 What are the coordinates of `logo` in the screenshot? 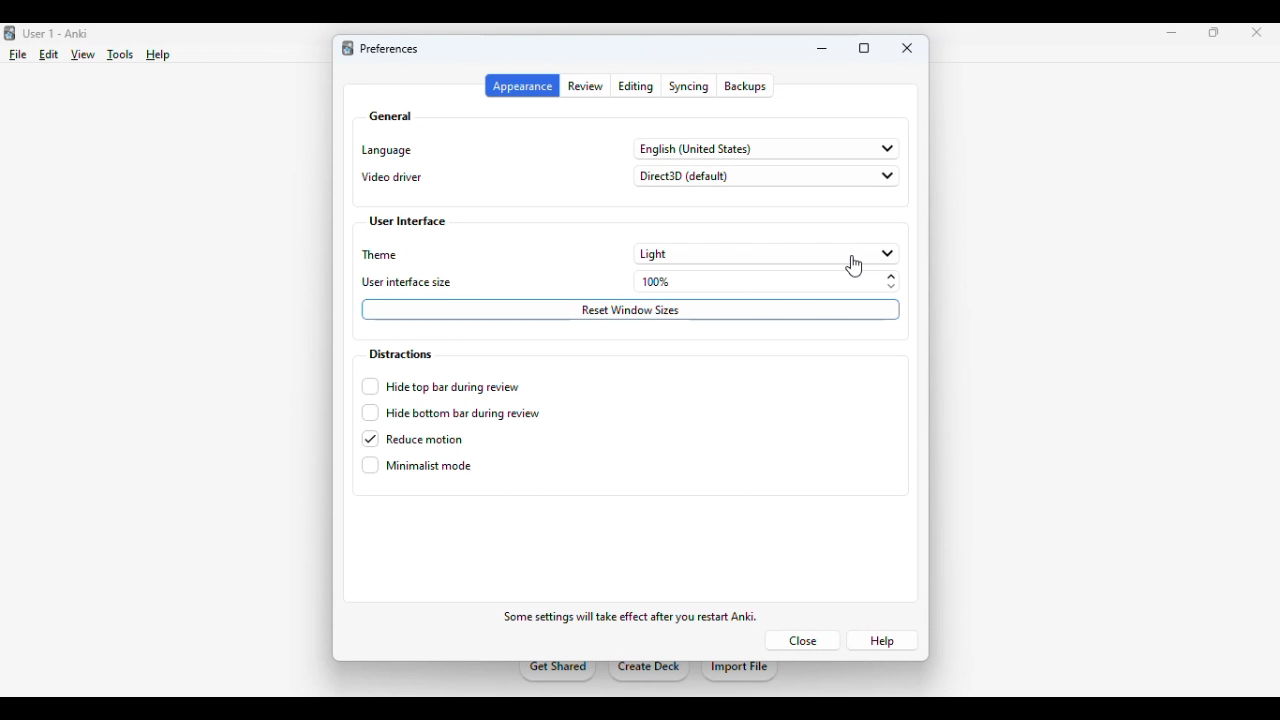 It's located at (347, 48).